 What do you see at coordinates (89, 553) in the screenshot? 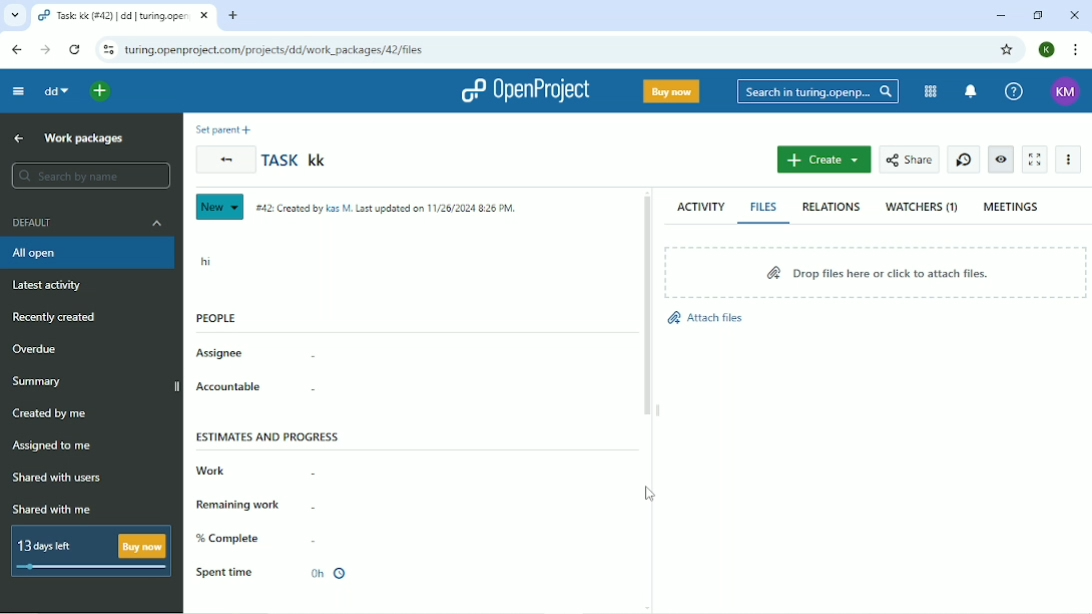
I see `13 days left Buy now` at bounding box center [89, 553].